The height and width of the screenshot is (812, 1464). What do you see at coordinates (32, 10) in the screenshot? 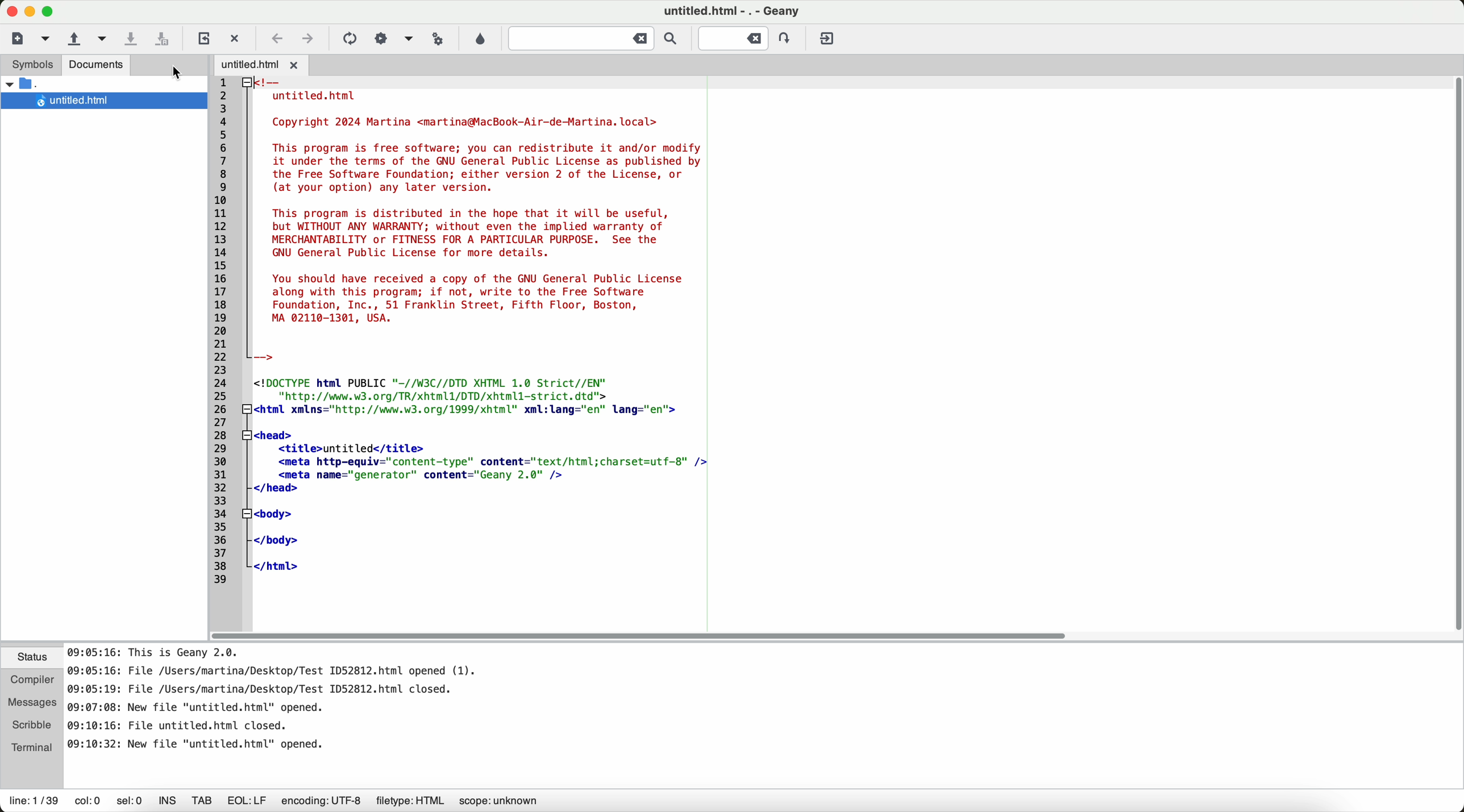
I see `screen buttons` at bounding box center [32, 10].